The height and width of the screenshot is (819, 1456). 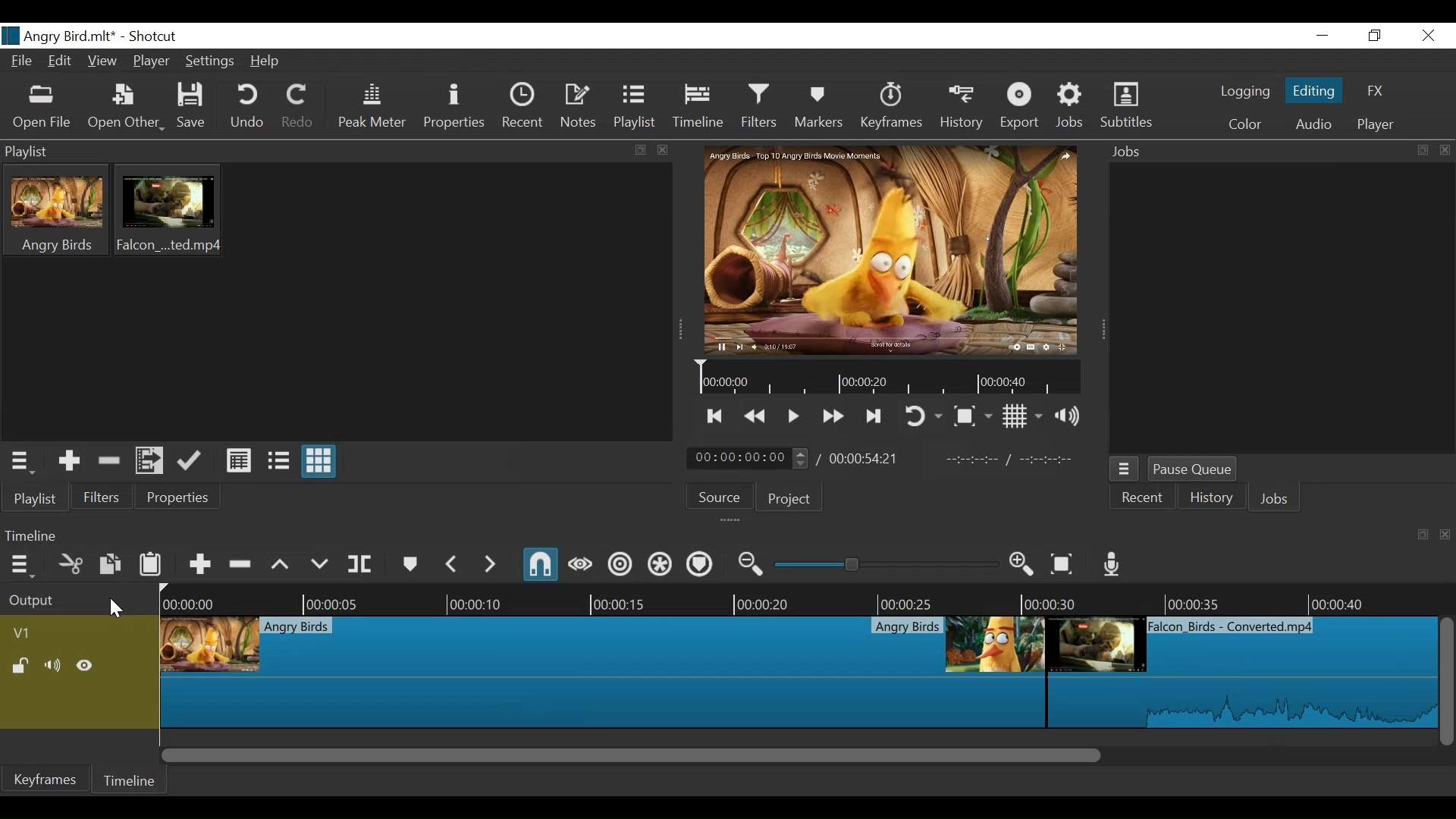 What do you see at coordinates (797, 757) in the screenshot?
I see `Scroll bar` at bounding box center [797, 757].